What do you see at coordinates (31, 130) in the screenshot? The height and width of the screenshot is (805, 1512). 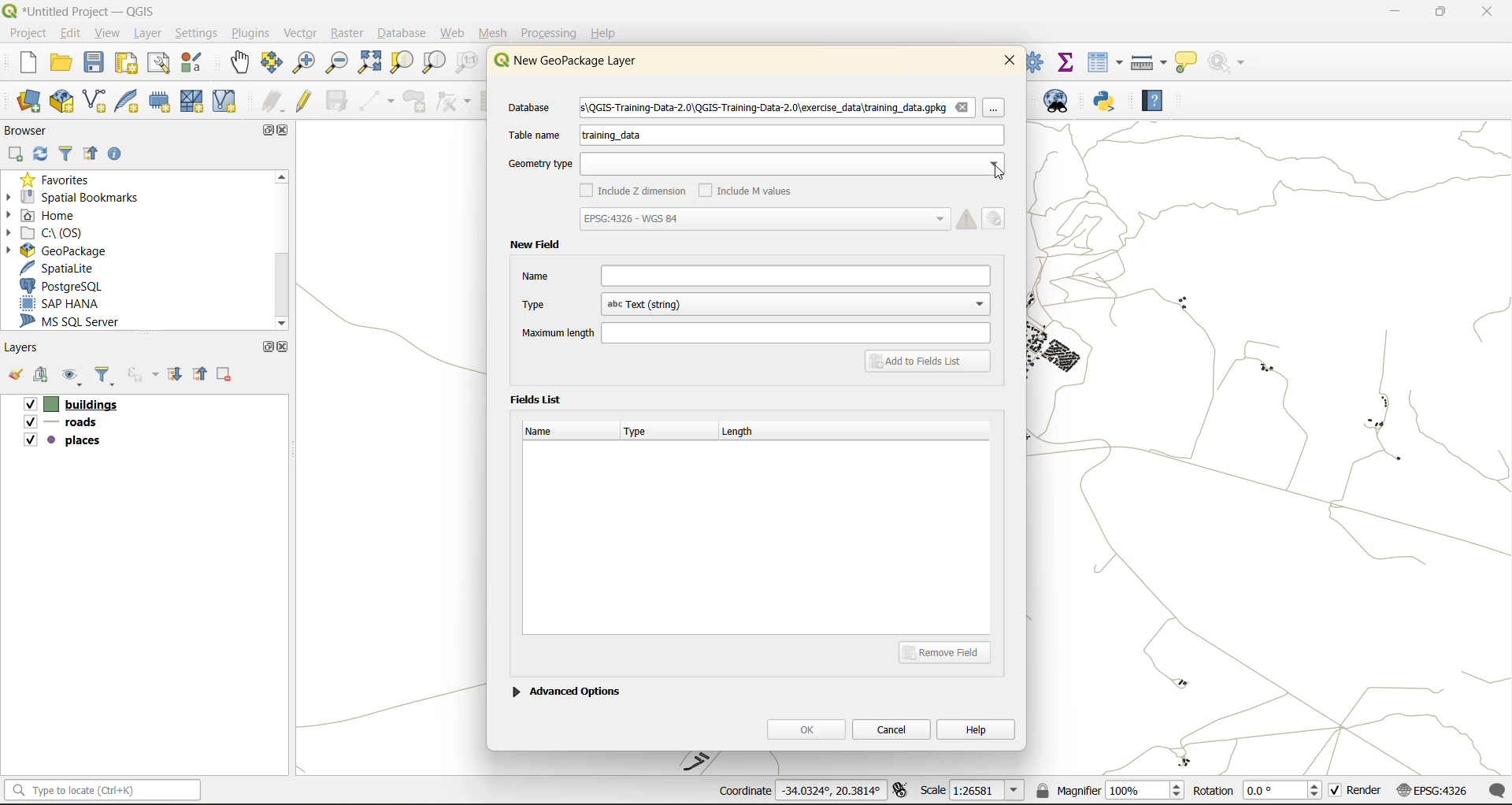 I see `browser` at bounding box center [31, 130].